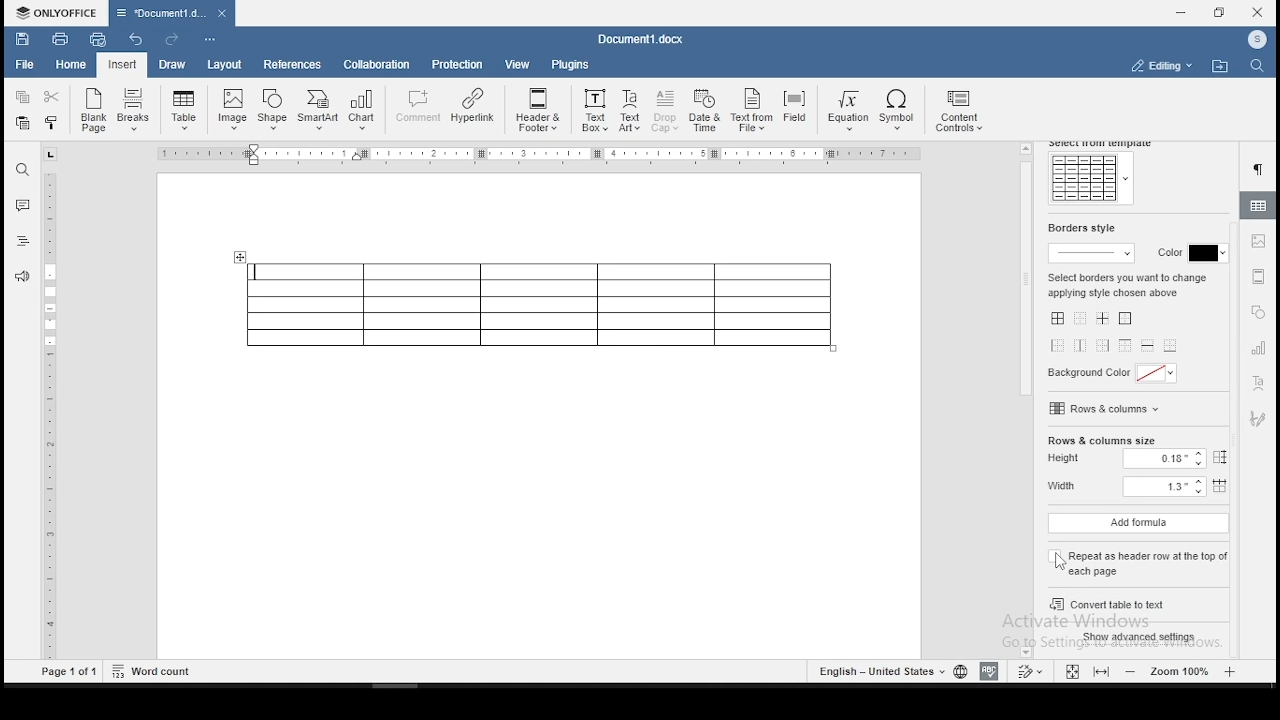  I want to click on Image, so click(234, 109).